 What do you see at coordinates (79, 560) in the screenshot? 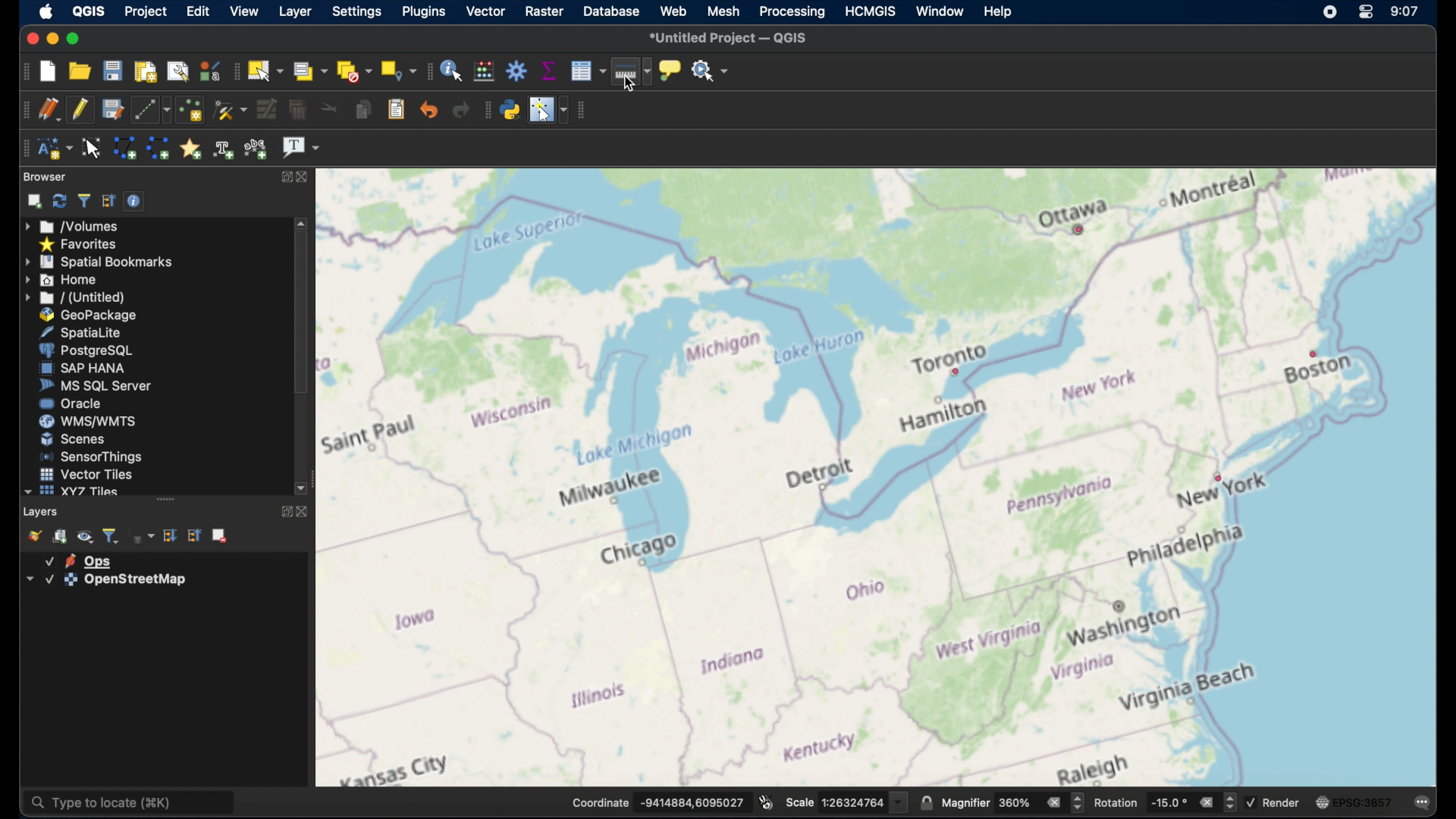
I see `layer` at bounding box center [79, 560].